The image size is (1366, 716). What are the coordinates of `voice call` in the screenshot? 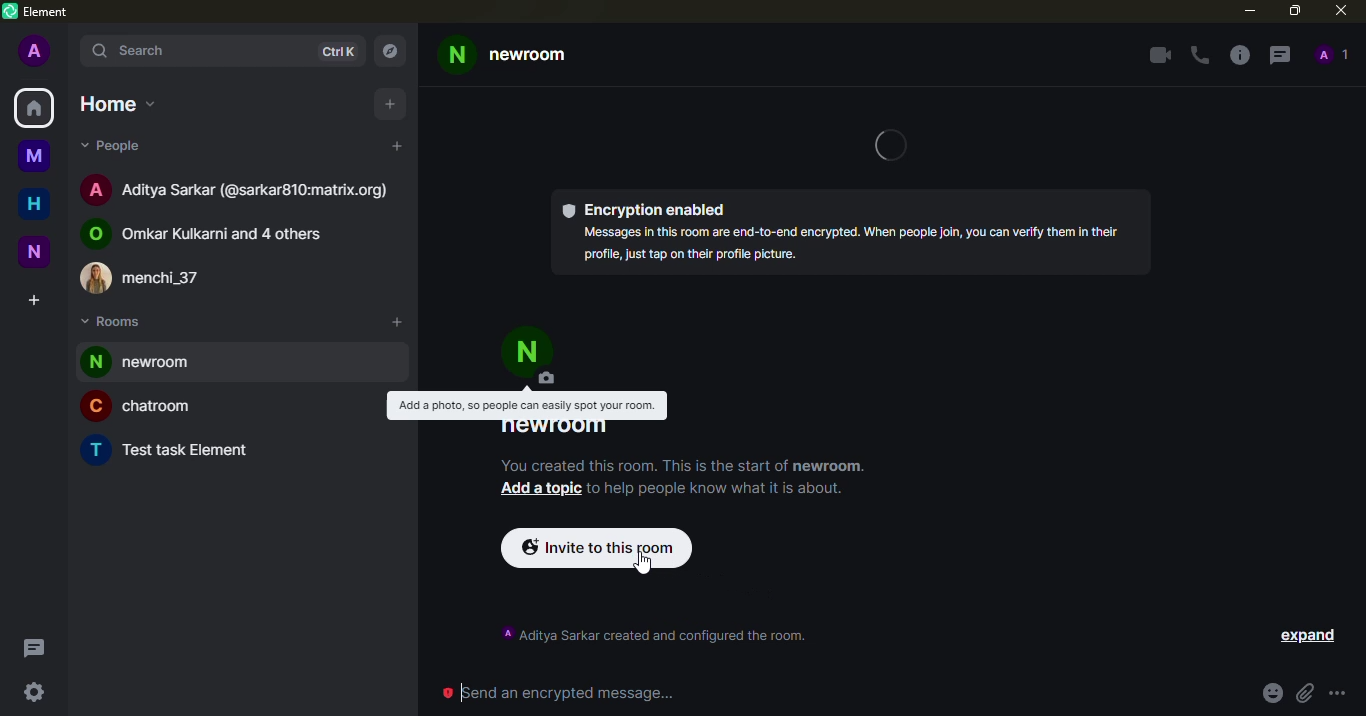 It's located at (1198, 55).